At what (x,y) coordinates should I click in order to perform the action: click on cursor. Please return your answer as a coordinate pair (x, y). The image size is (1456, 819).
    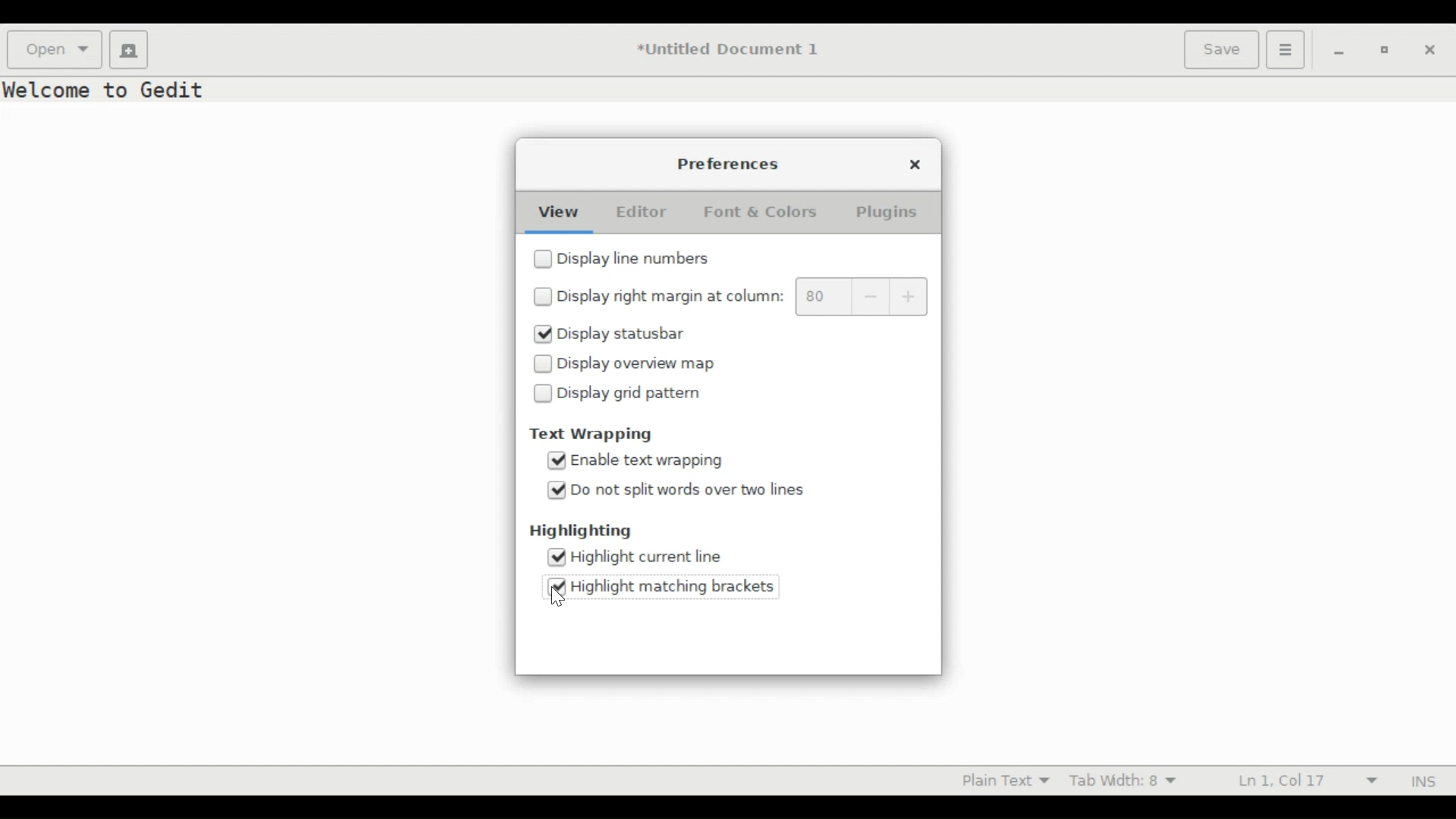
    Looking at the image, I should click on (558, 597).